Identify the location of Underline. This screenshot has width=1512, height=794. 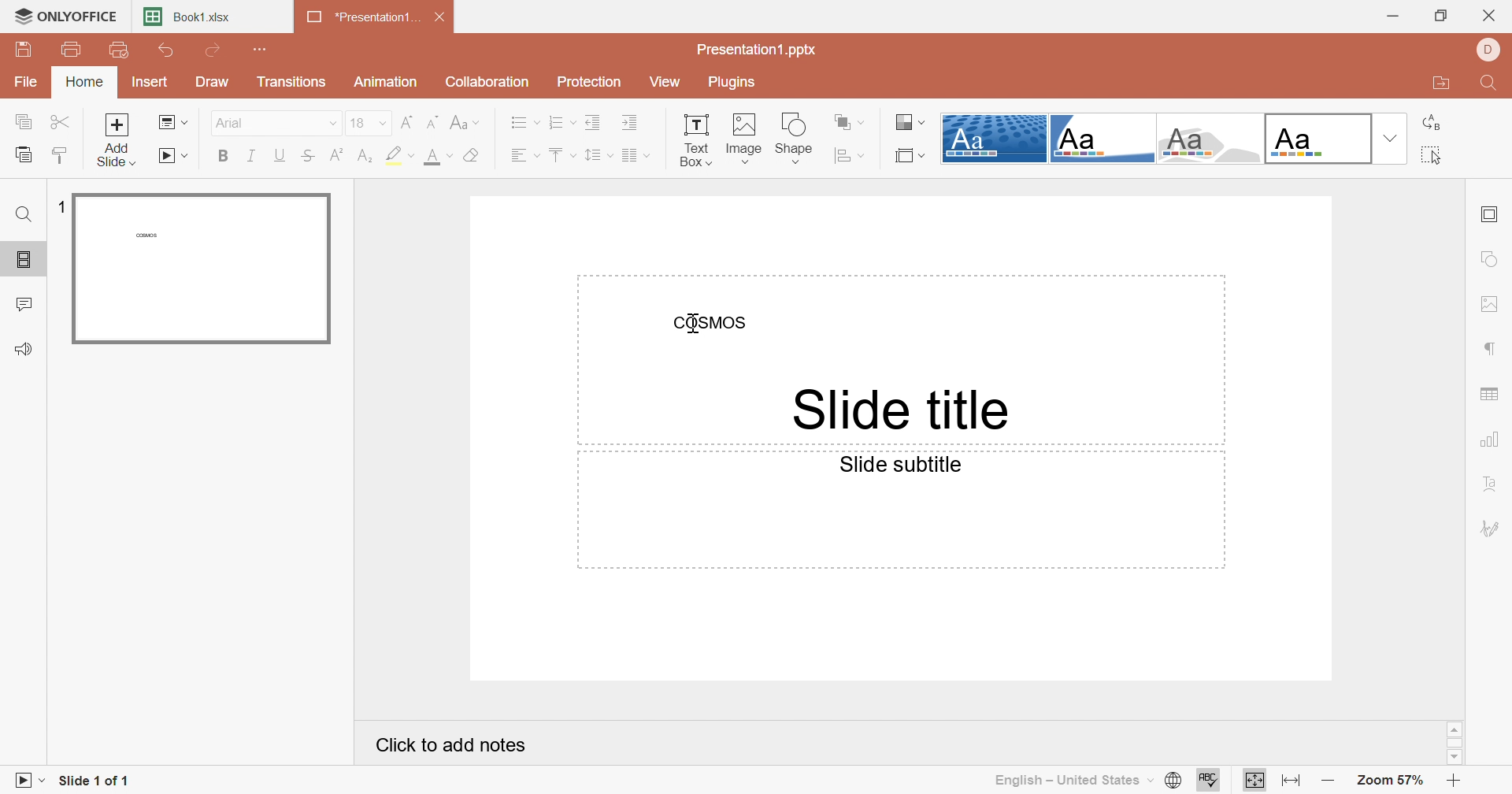
(279, 156).